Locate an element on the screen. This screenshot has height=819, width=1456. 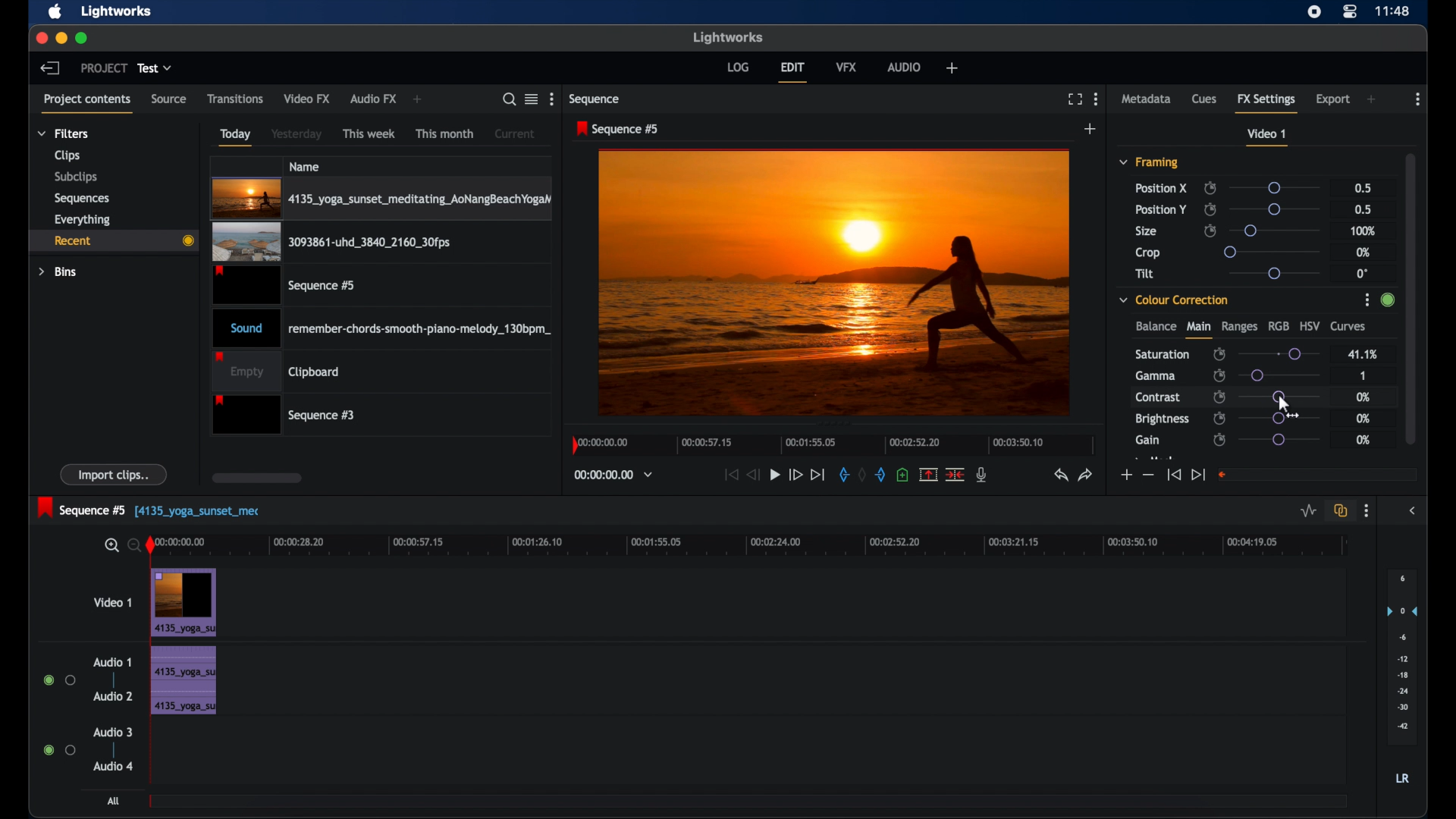
slider is located at coordinates (1273, 187).